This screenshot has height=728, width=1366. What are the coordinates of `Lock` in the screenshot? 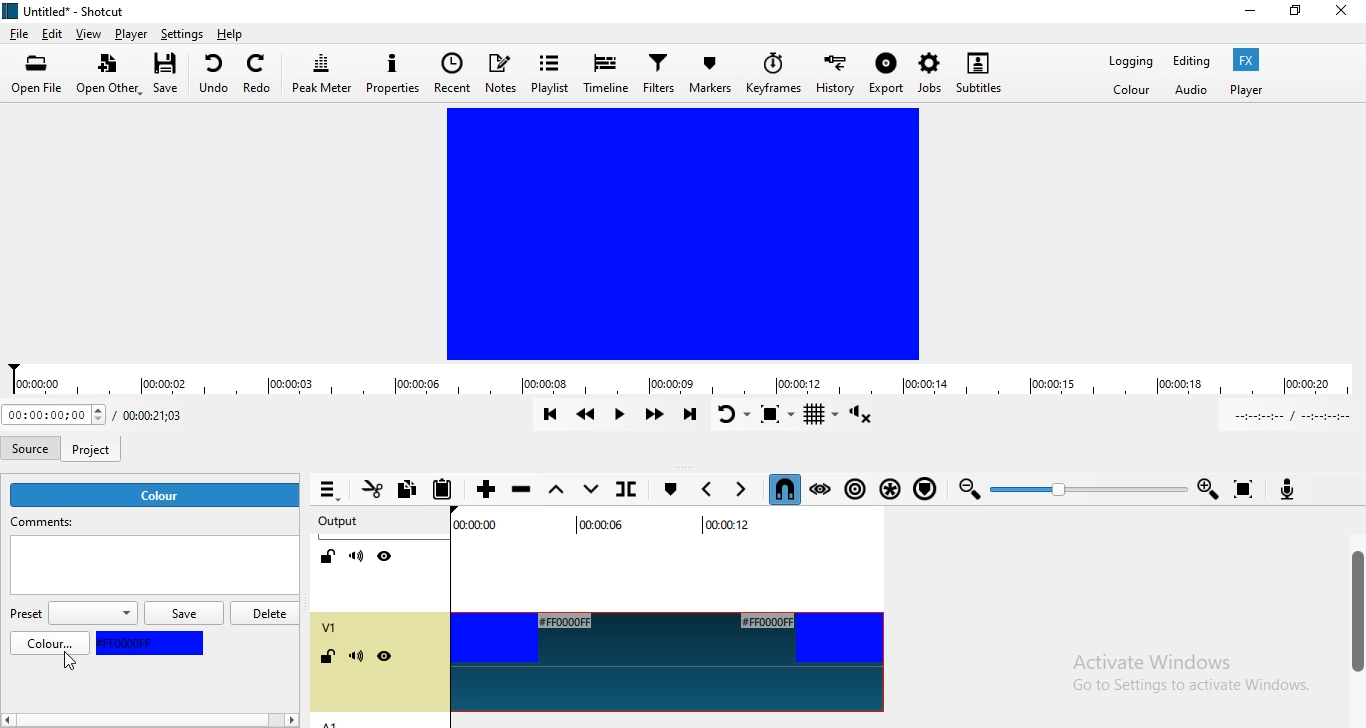 It's located at (328, 557).